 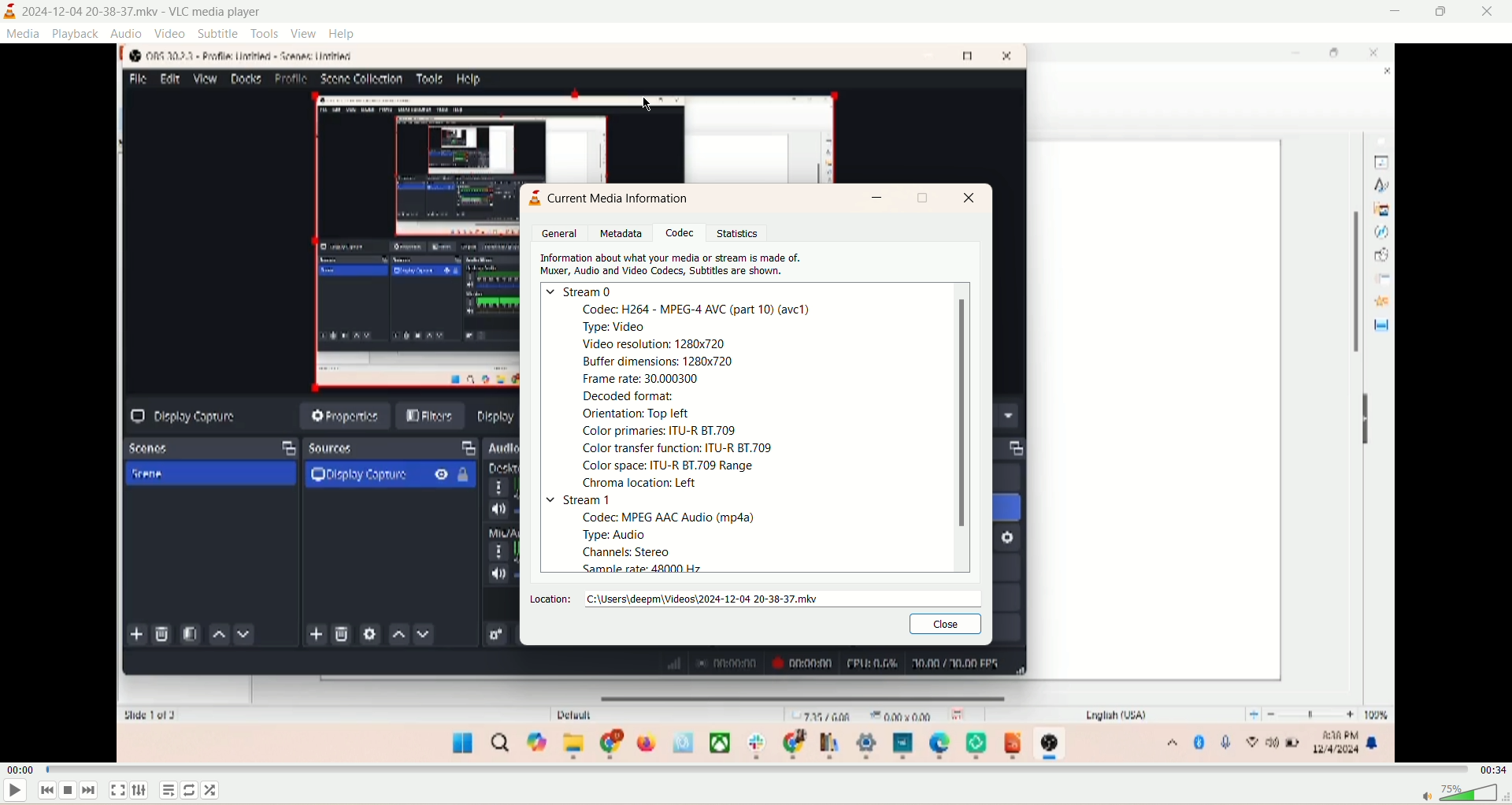 I want to click on Codec: H264 - MPEG-4 AVC (part 10) (avcT)Type: Video Video resolution: 1280x720Buffer dimensions: 1280x720Frame rate: 30000300Decoded format: Orientation: Top left Color primaries: ITU-R BT.709Color transfer function: ITU-R BT.709Color space: ITU-R BT.709 Range Chroma location: Left, so click(x=697, y=395).